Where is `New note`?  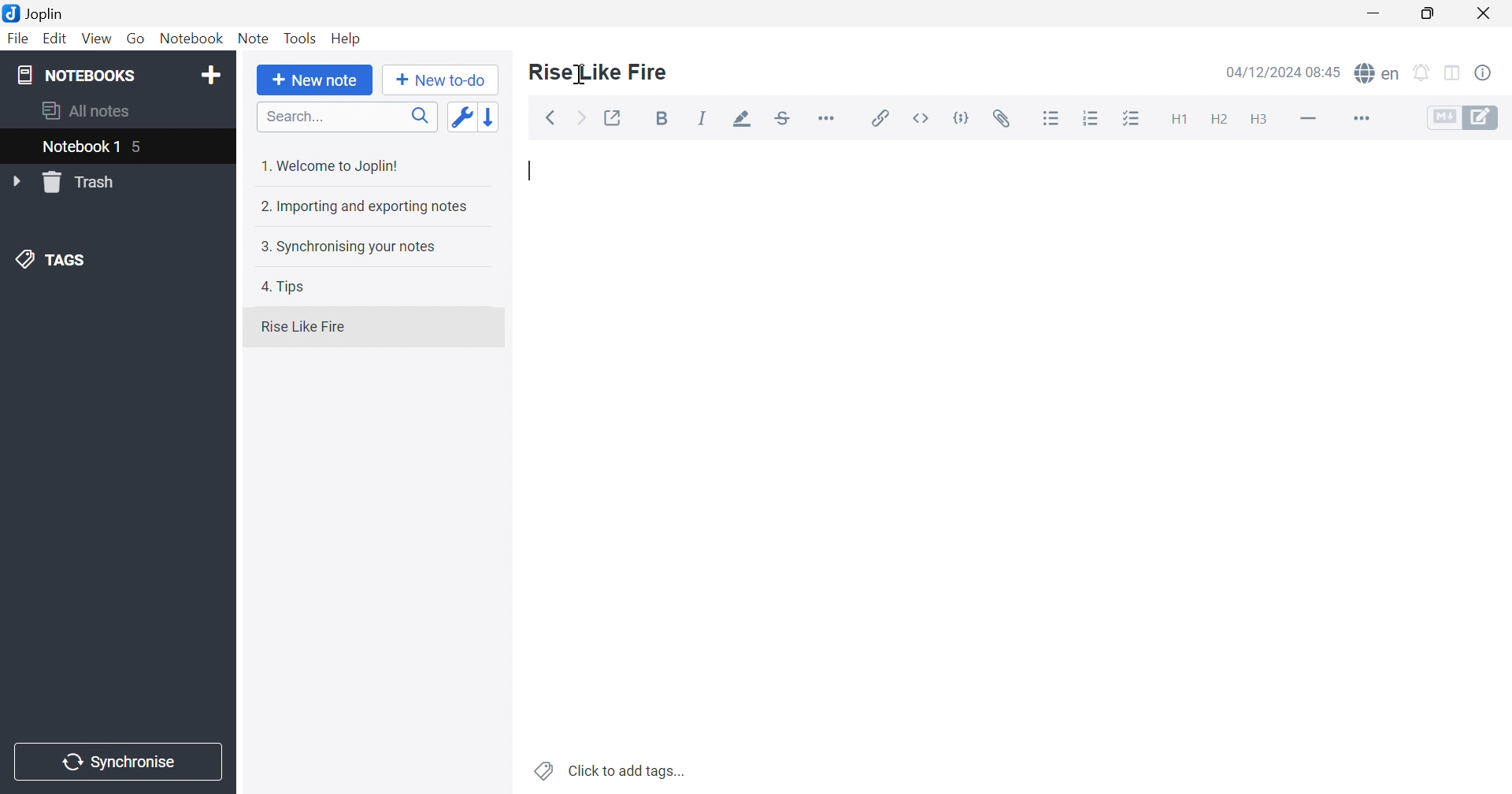 New note is located at coordinates (314, 80).